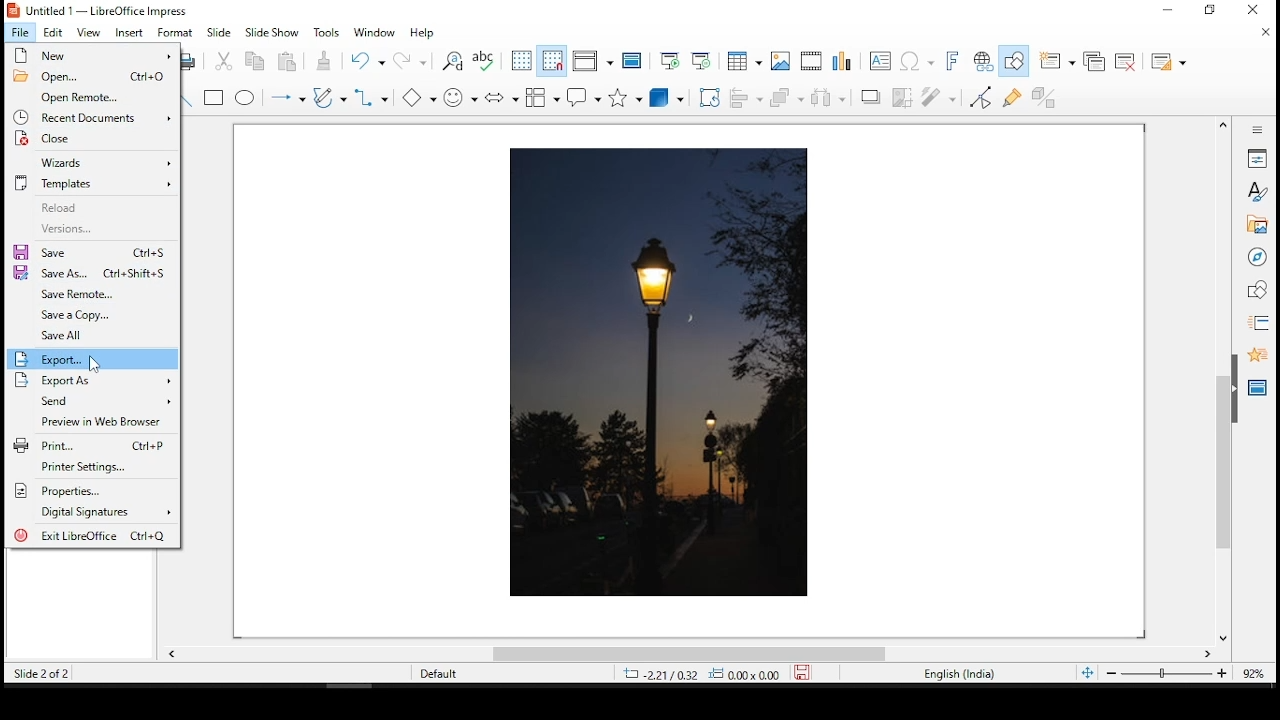  I want to click on preview in web browser, so click(97, 421).